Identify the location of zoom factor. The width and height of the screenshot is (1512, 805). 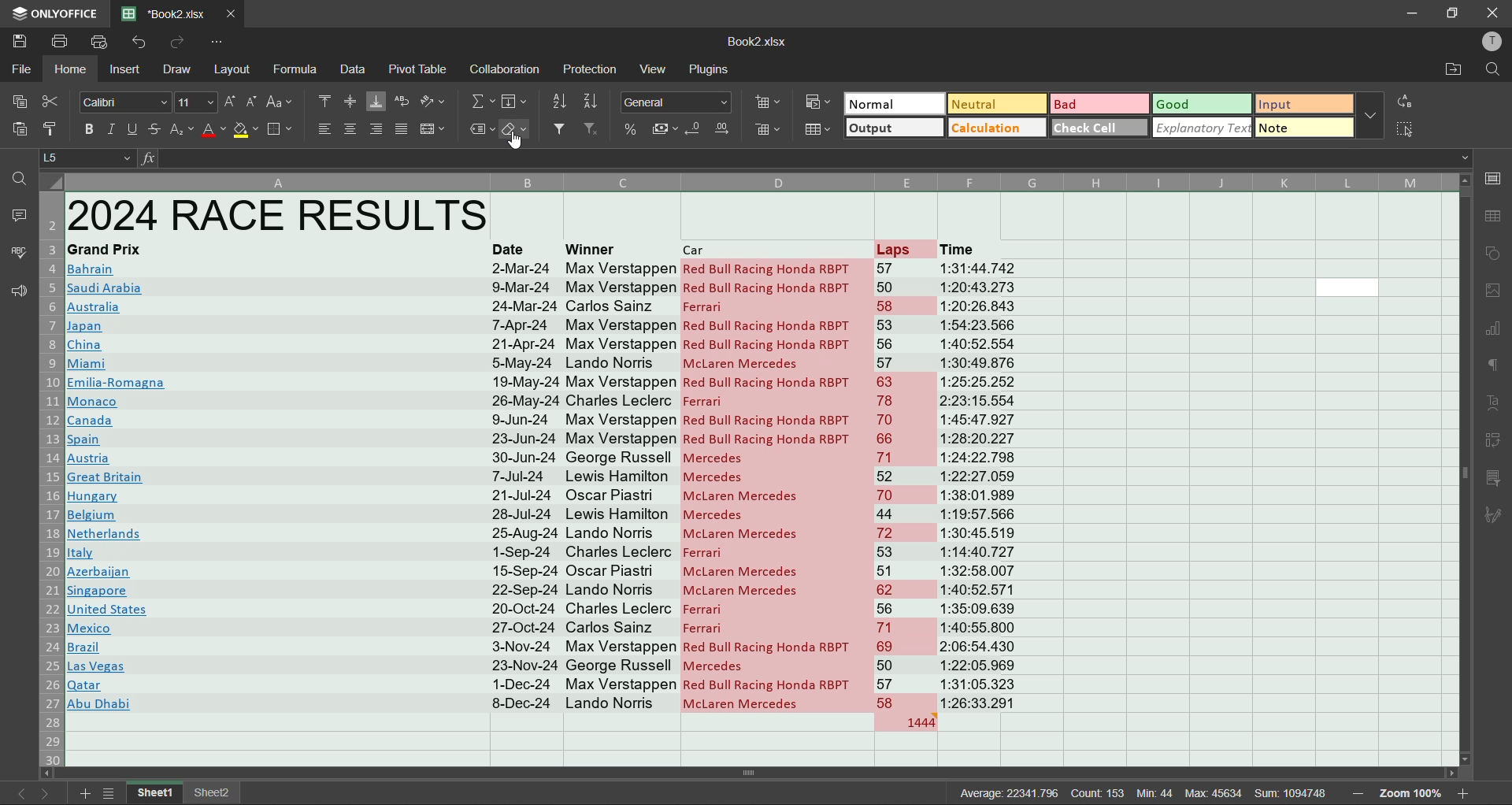
(1412, 793).